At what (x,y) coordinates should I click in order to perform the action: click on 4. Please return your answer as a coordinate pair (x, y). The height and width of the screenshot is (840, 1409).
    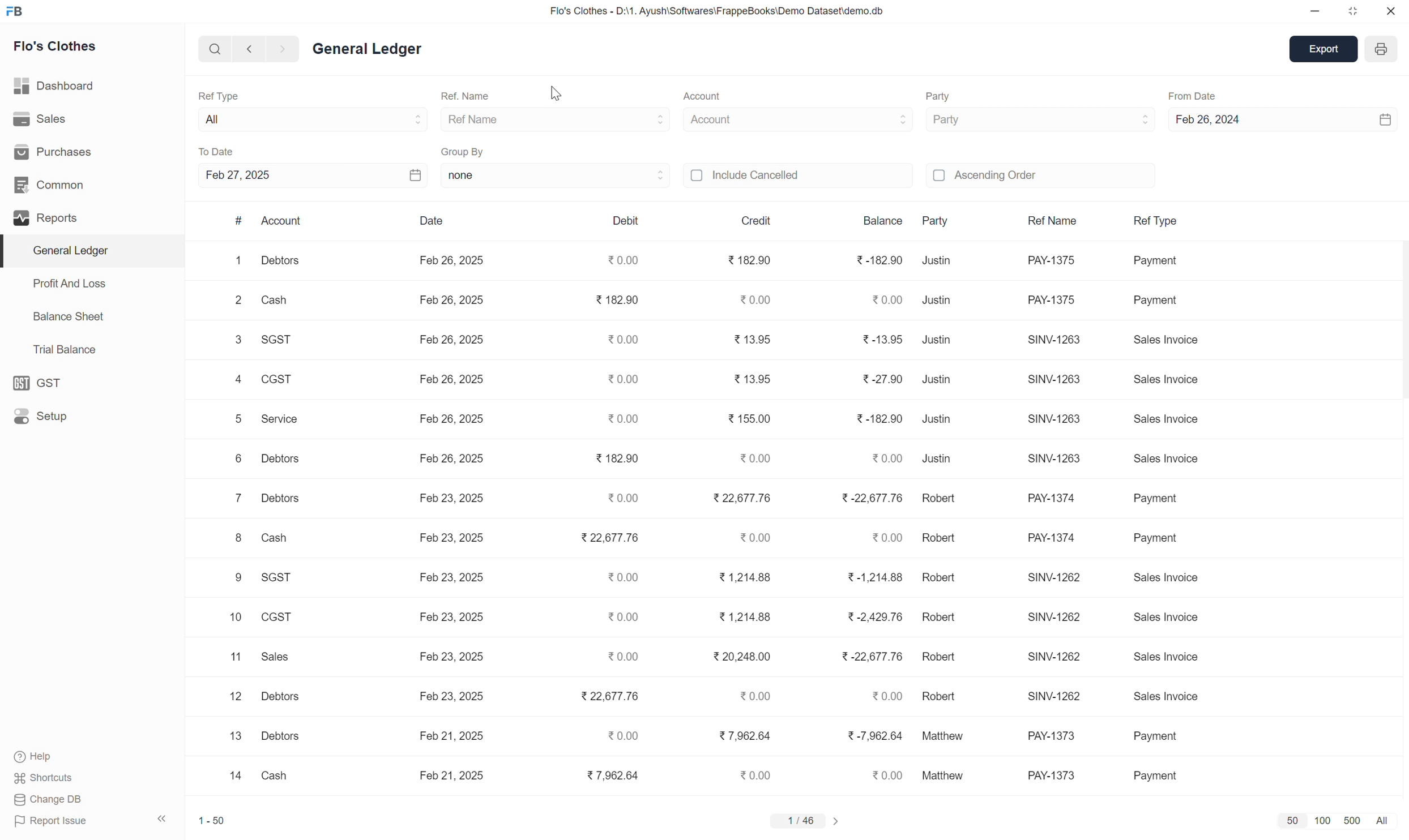
    Looking at the image, I should click on (240, 380).